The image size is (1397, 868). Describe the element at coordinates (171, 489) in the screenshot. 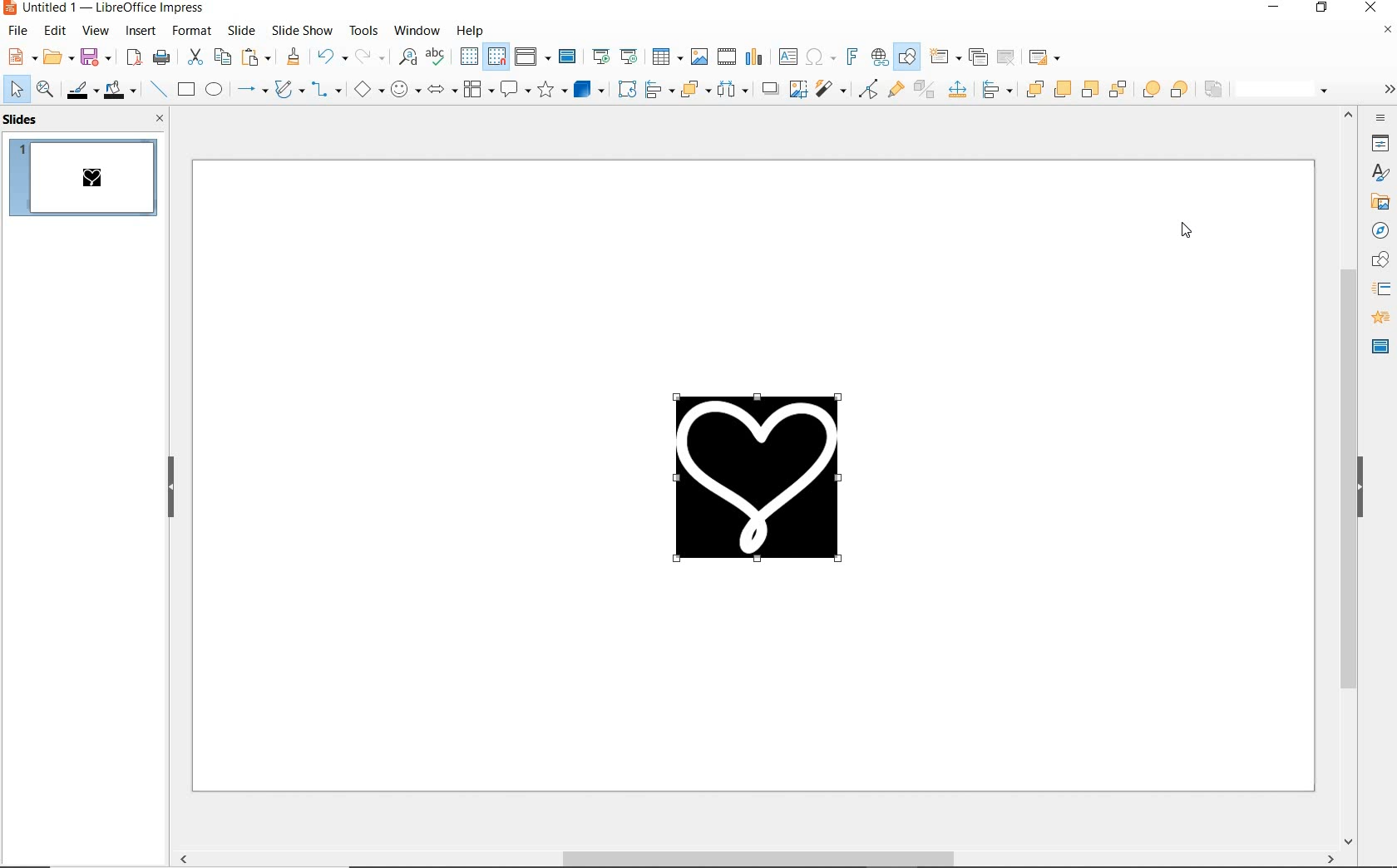

I see `HIDE` at that location.